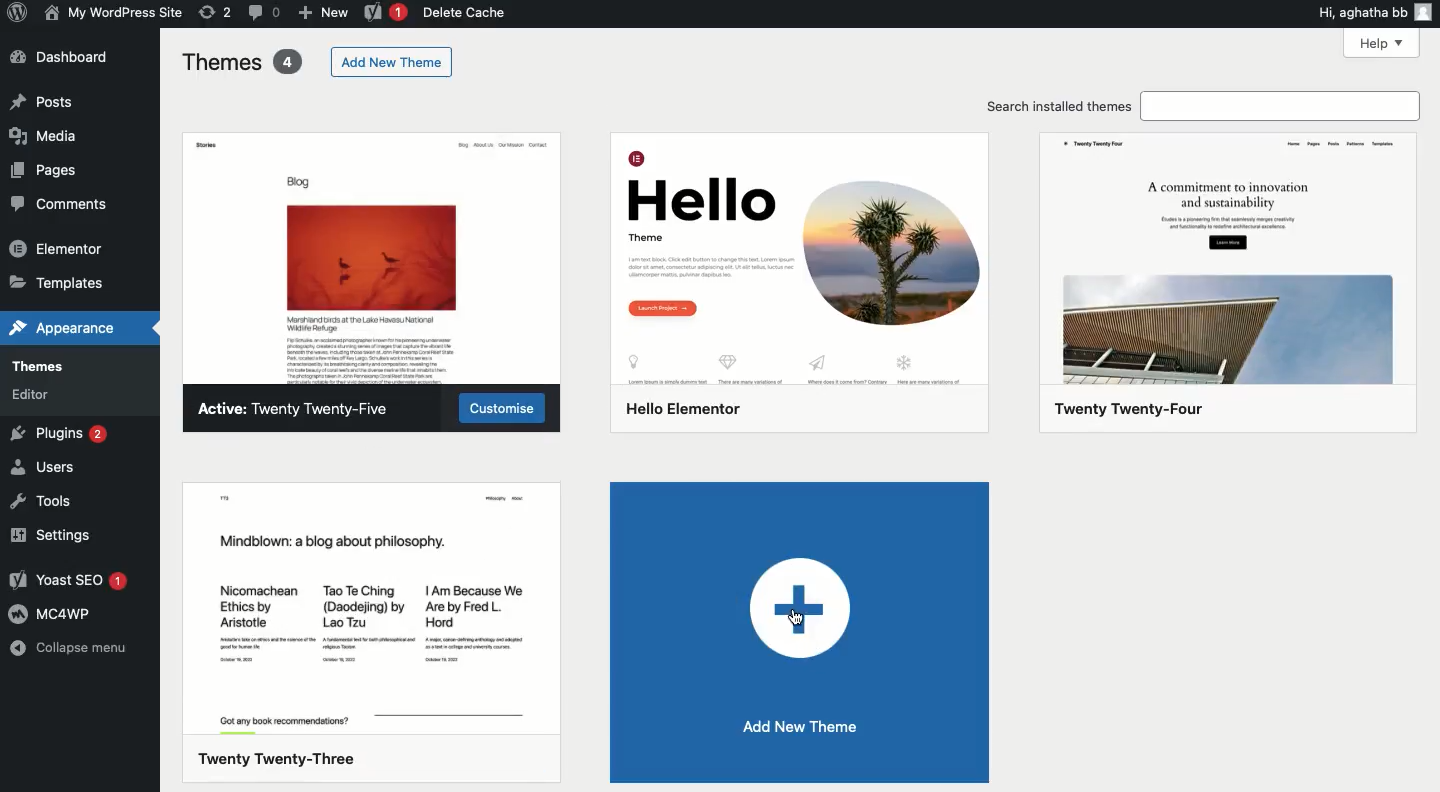 The height and width of the screenshot is (792, 1440). Describe the element at coordinates (60, 279) in the screenshot. I see `Templates` at that location.